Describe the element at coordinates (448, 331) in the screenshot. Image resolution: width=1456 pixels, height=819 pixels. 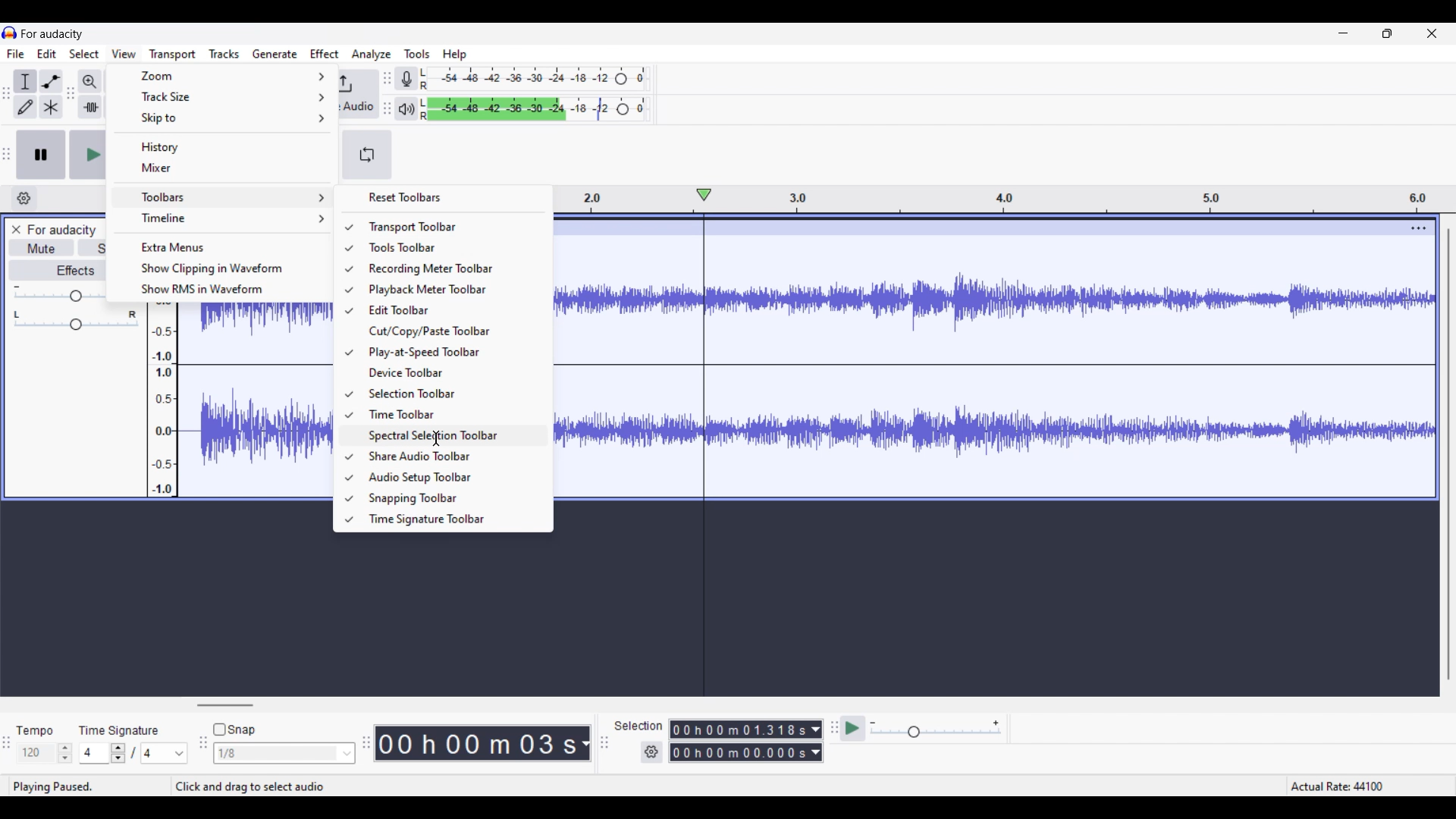
I see `Cut/Copy/Paste toolbar` at that location.